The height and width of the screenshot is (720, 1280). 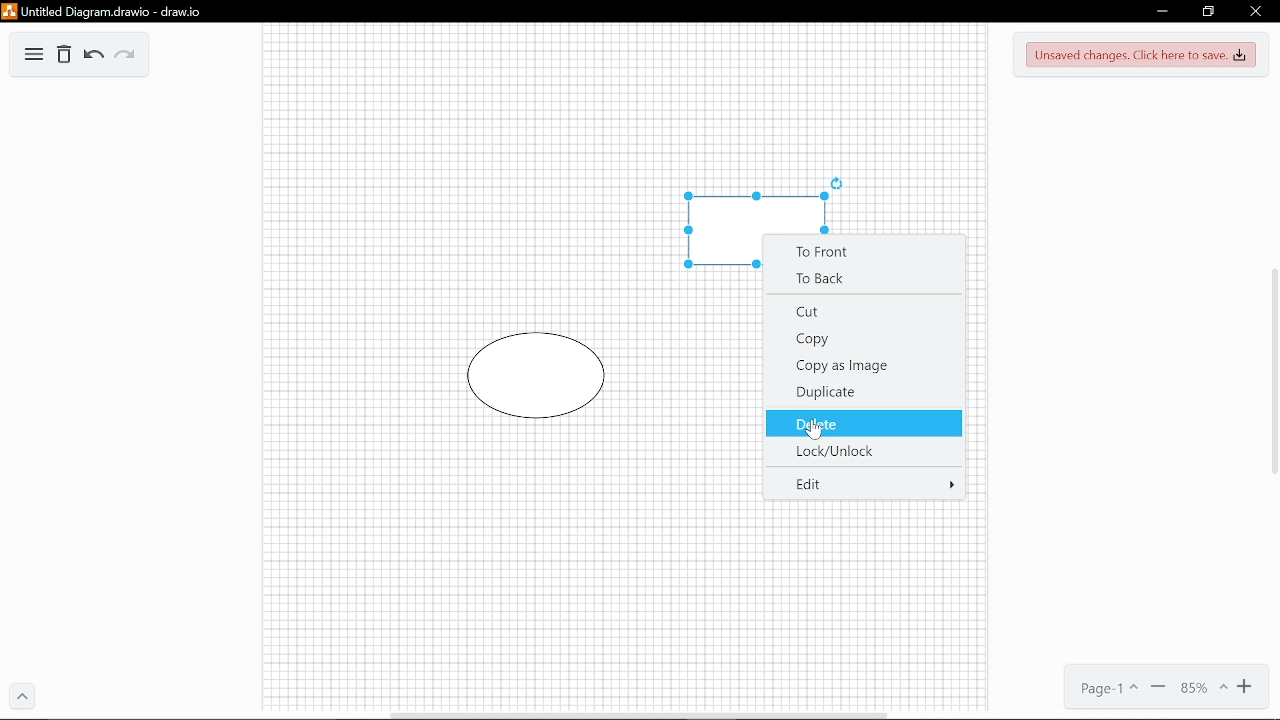 I want to click on Expanded menu, so click(x=23, y=698).